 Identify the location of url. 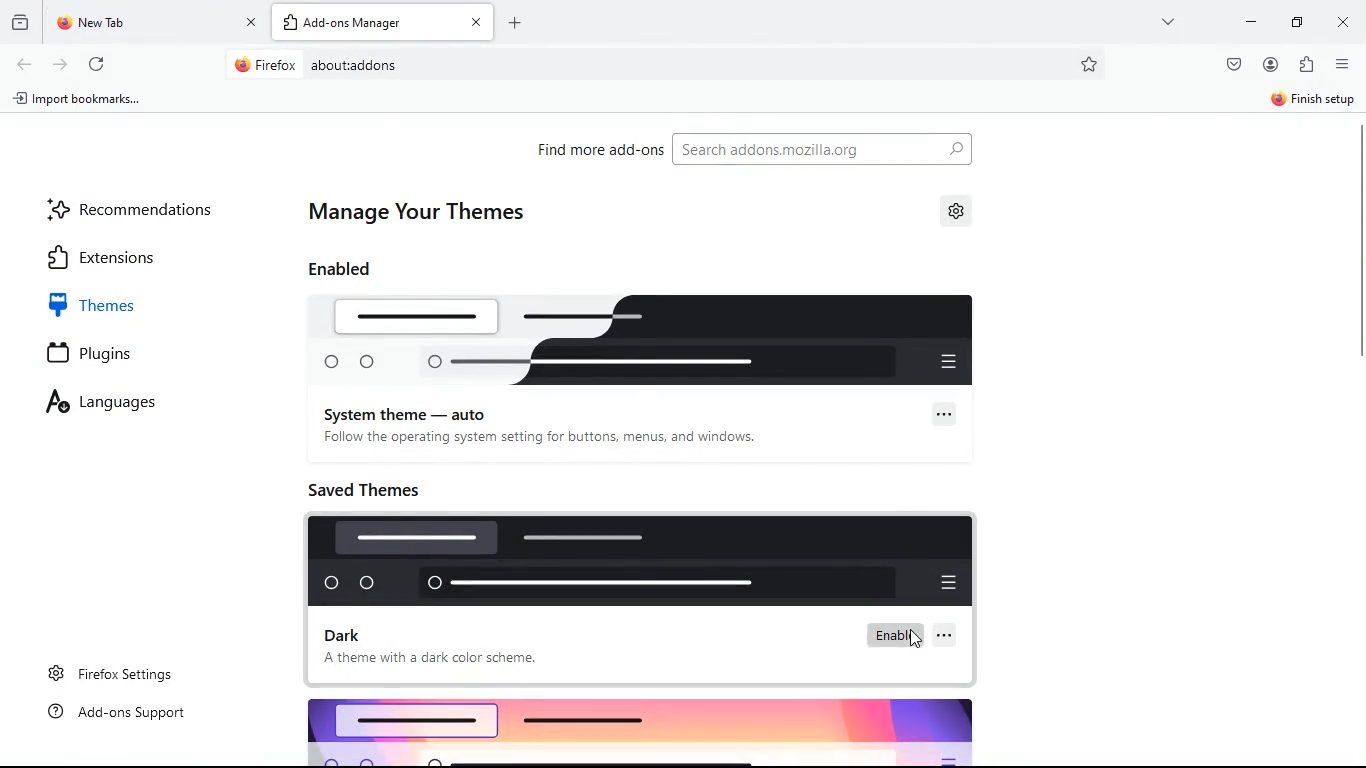
(398, 64).